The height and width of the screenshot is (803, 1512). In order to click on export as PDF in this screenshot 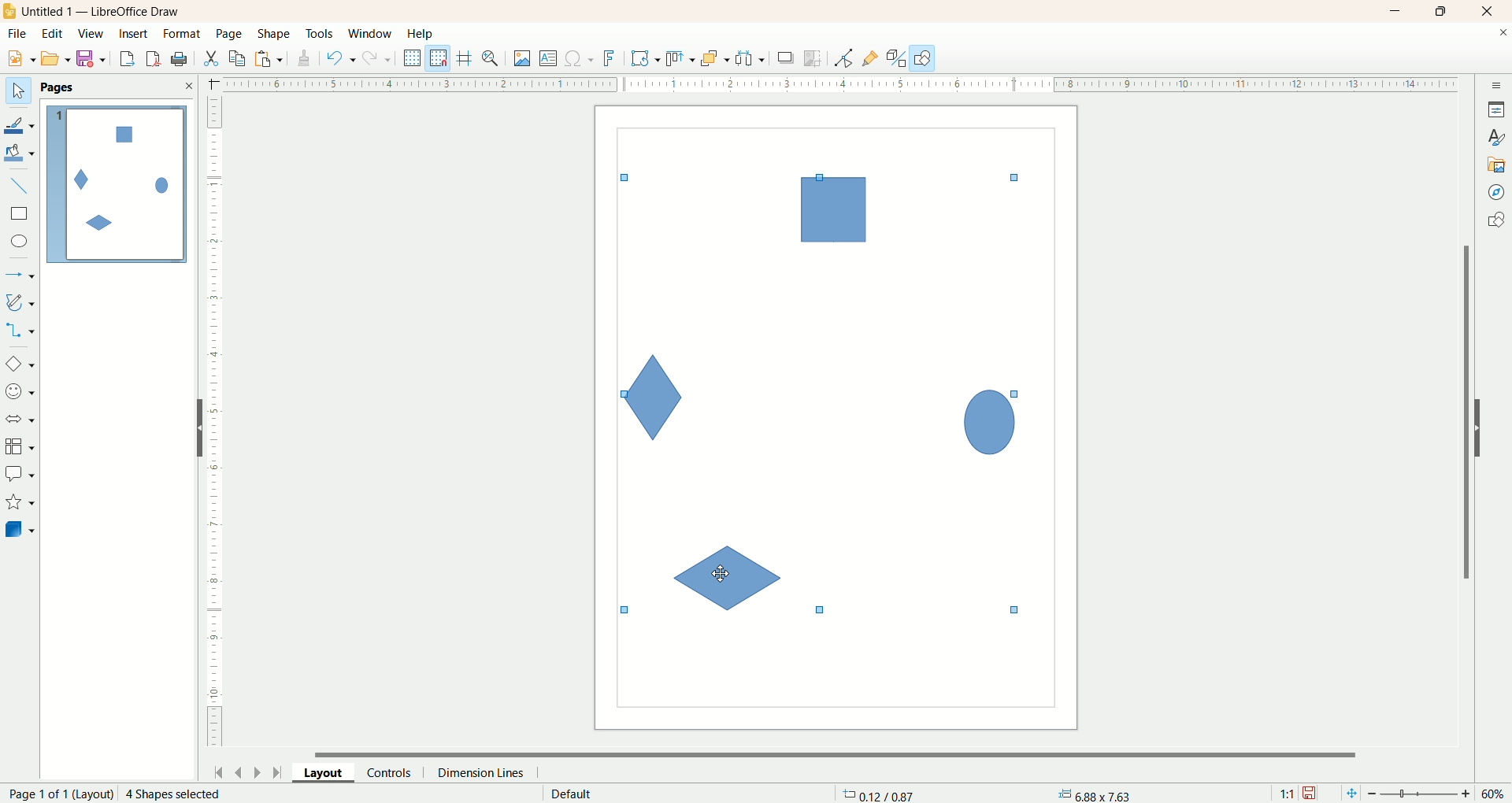, I will do `click(181, 60)`.